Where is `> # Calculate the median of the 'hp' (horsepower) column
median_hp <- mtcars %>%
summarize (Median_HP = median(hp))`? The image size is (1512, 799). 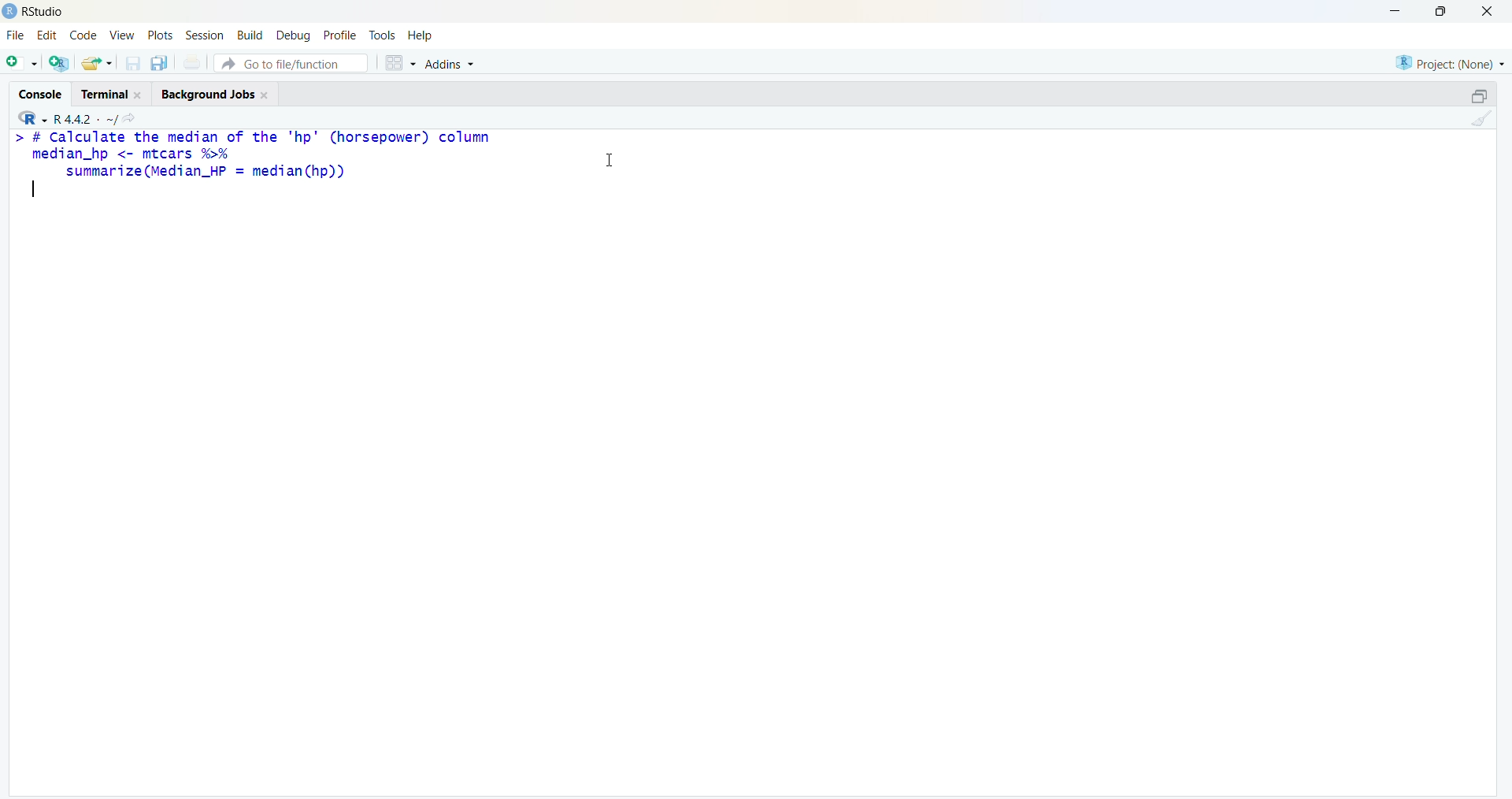
> # Calculate the median of the 'hp' (horsepower) column
median_hp <- mtcars %>%
summarize (Median_HP = median(hp)) is located at coordinates (255, 155).